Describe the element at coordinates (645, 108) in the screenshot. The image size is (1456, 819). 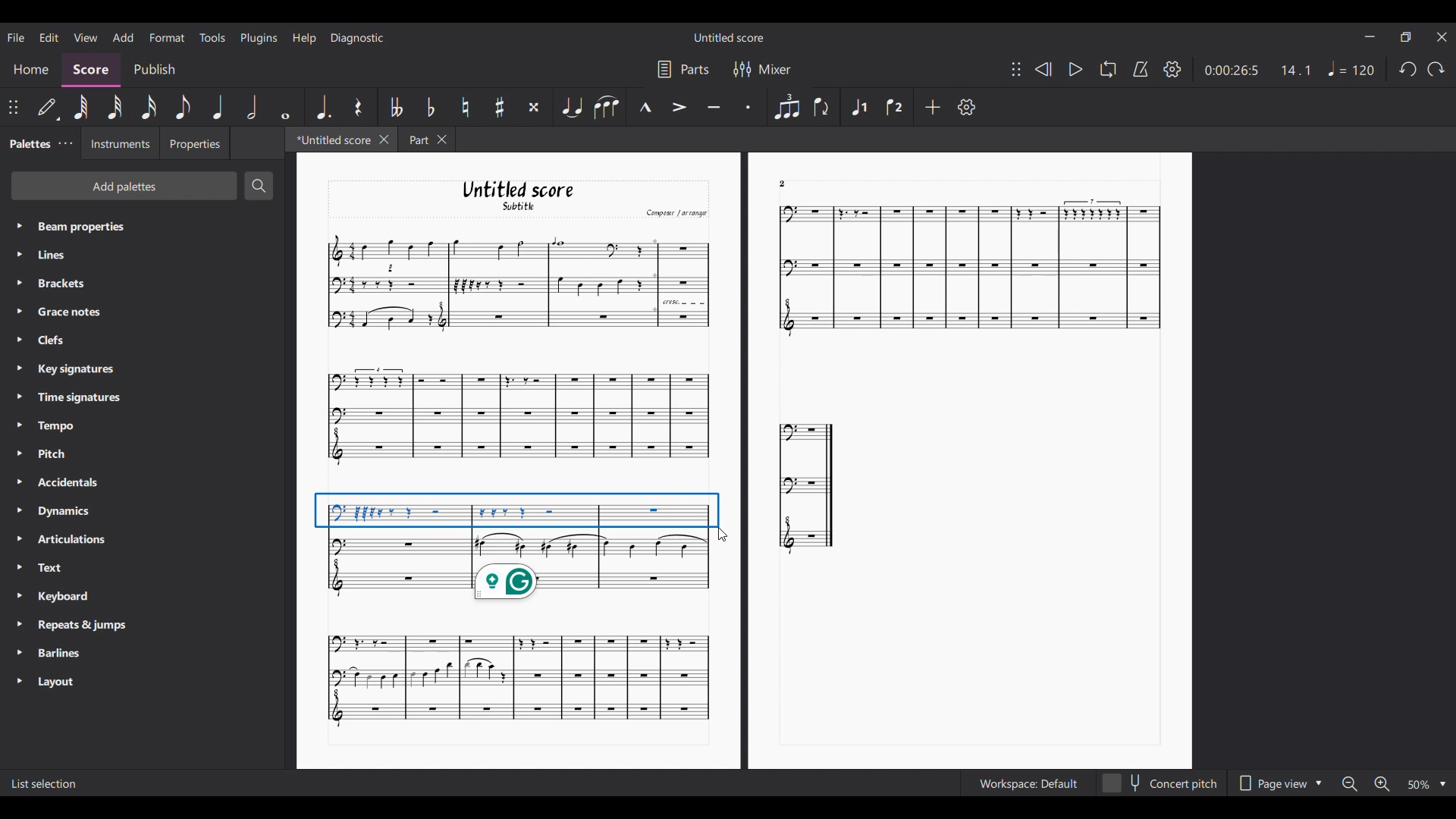
I see `Marcato` at that location.